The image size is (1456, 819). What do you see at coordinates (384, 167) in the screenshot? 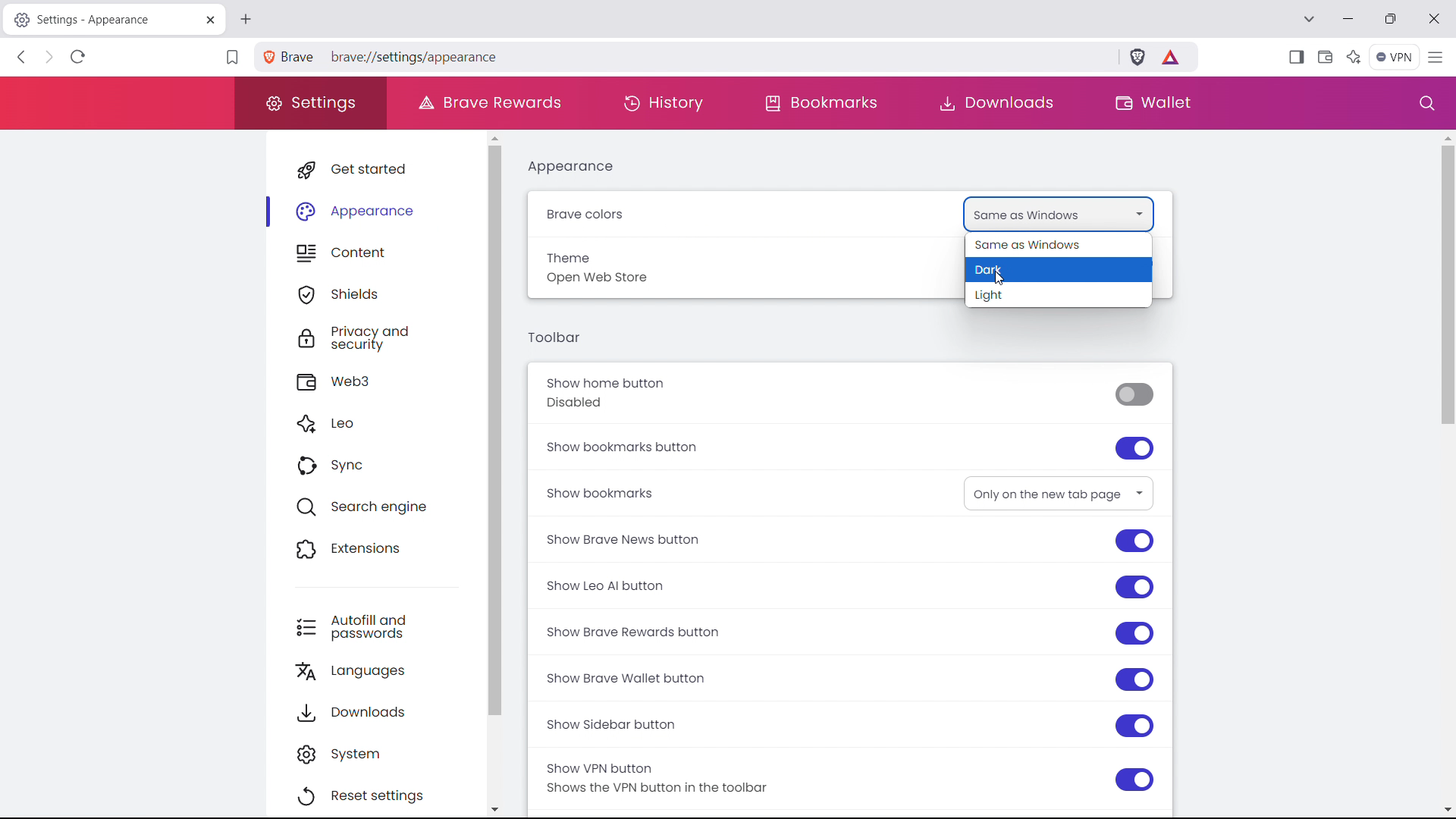
I see `get started` at bounding box center [384, 167].